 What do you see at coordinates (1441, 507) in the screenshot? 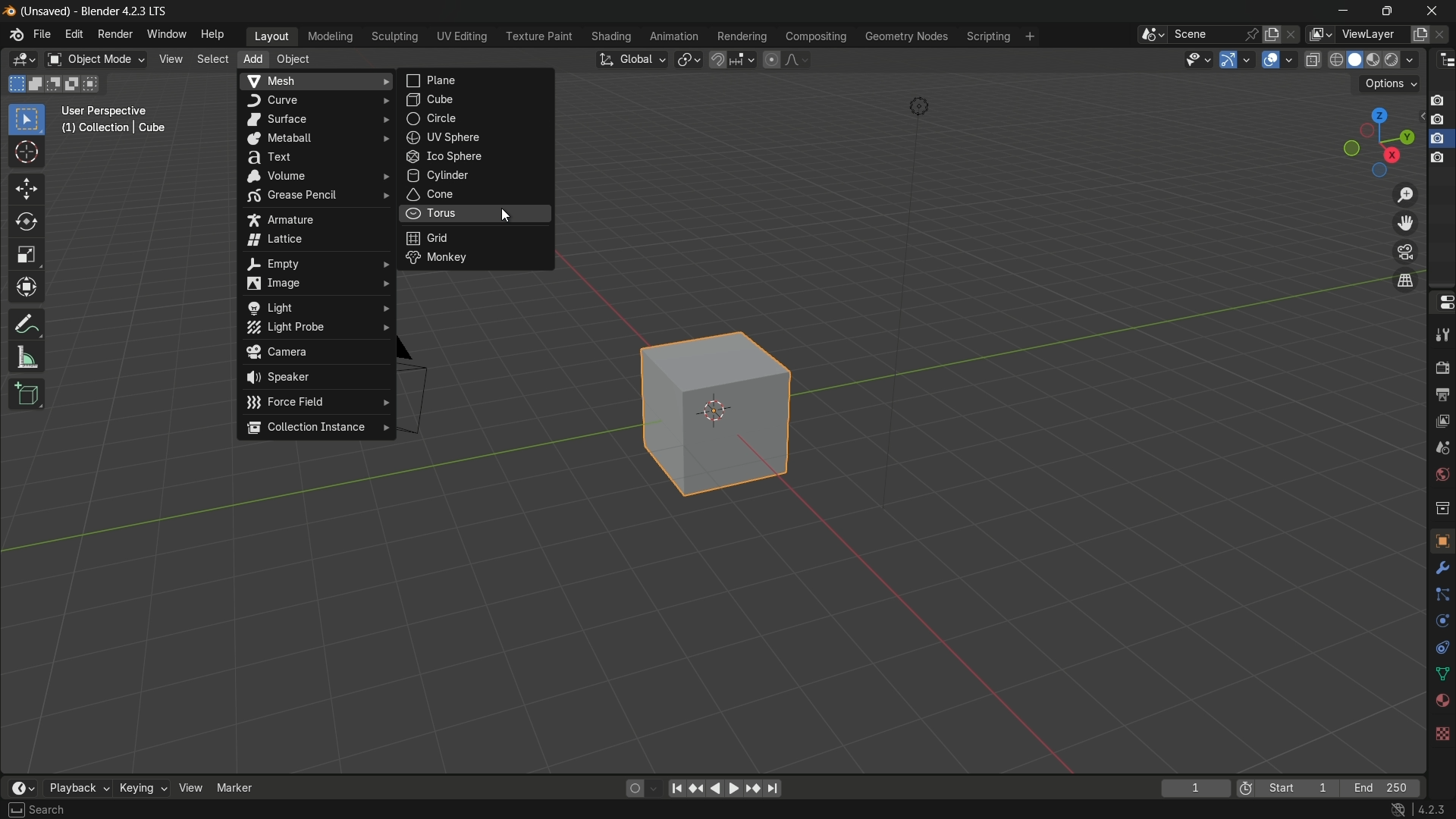
I see `collection` at bounding box center [1441, 507].